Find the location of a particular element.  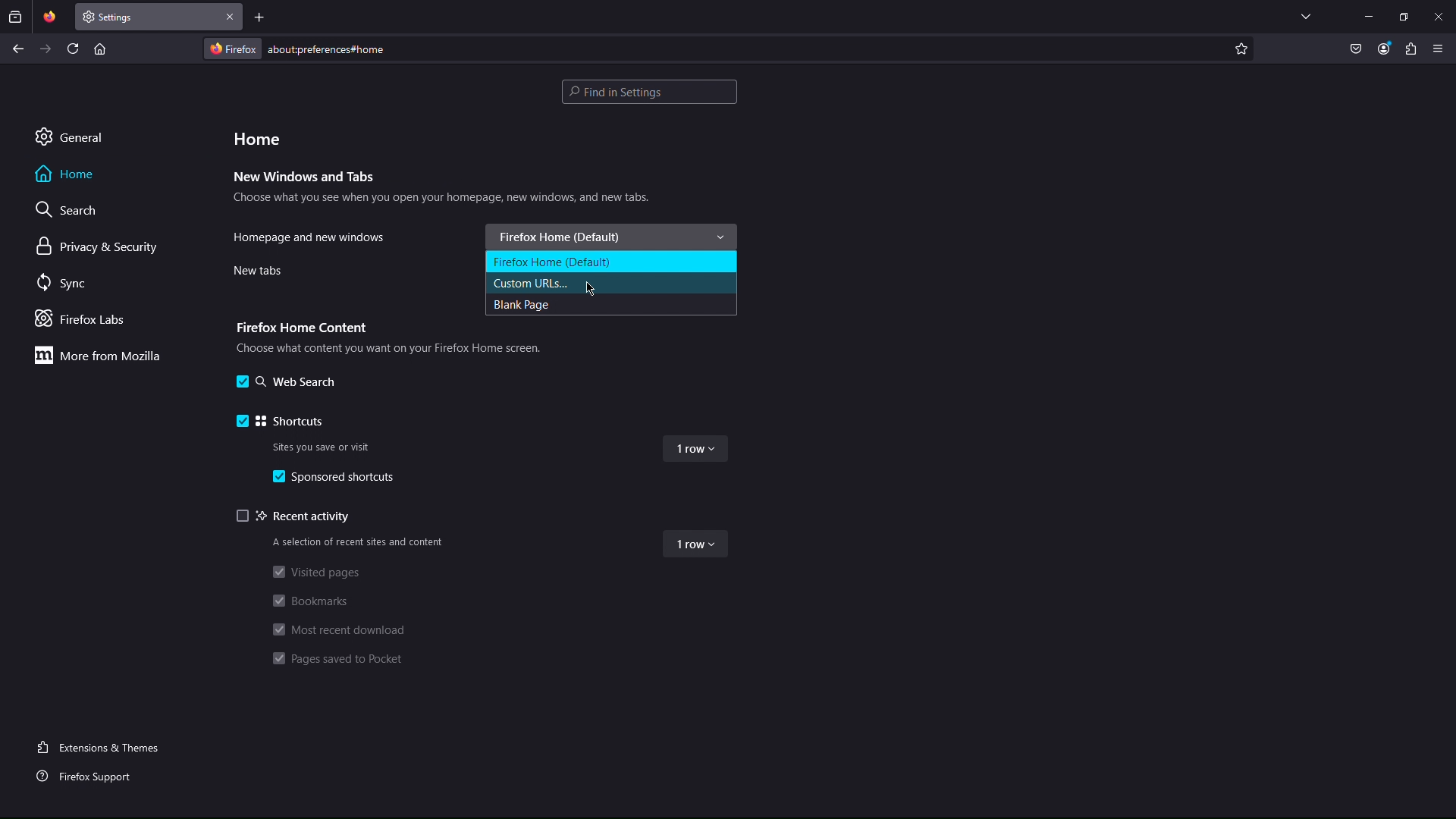

Sites you save or visit is located at coordinates (322, 447).